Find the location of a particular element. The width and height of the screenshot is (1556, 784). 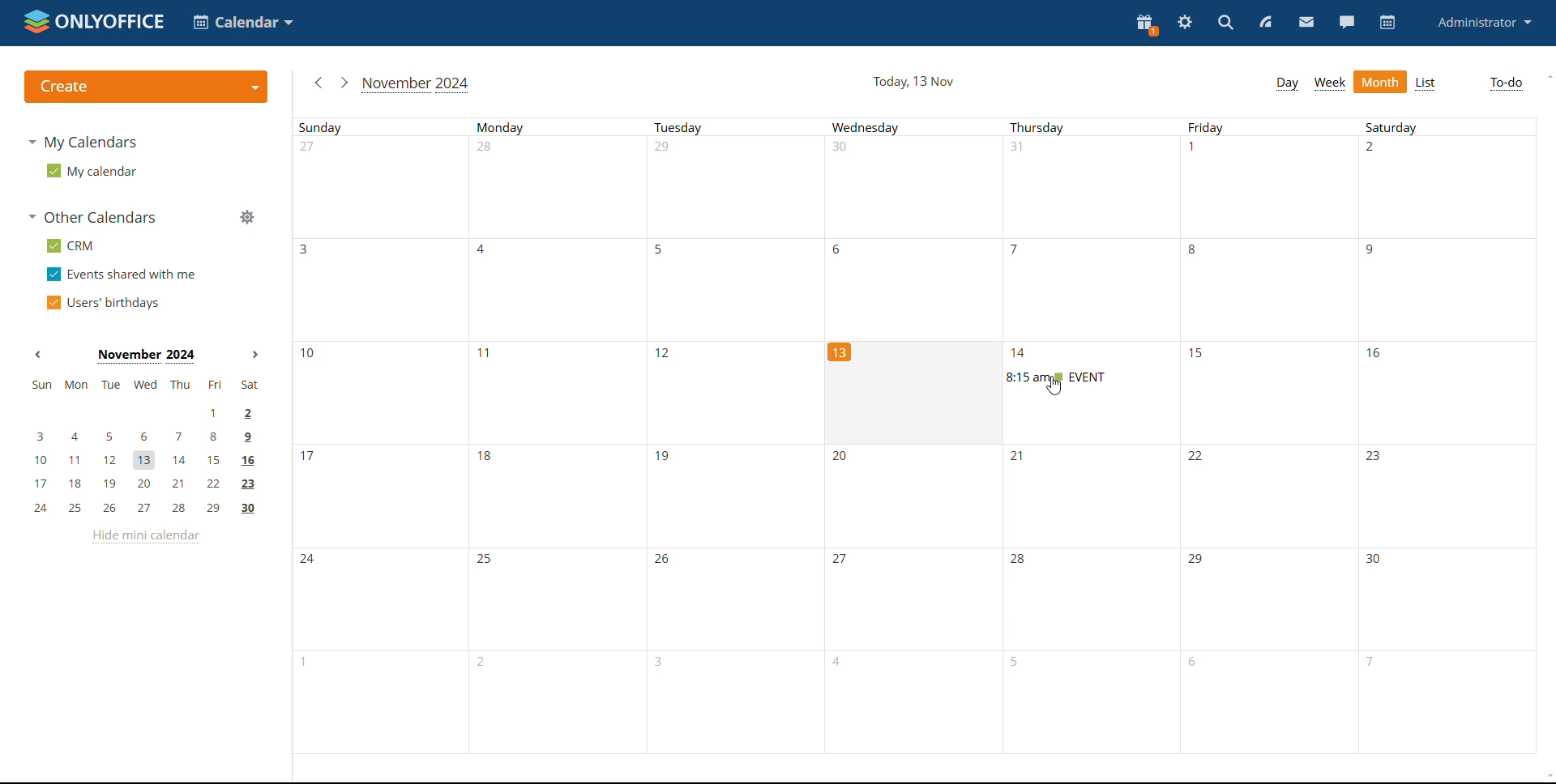

my calendar is located at coordinates (91, 172).